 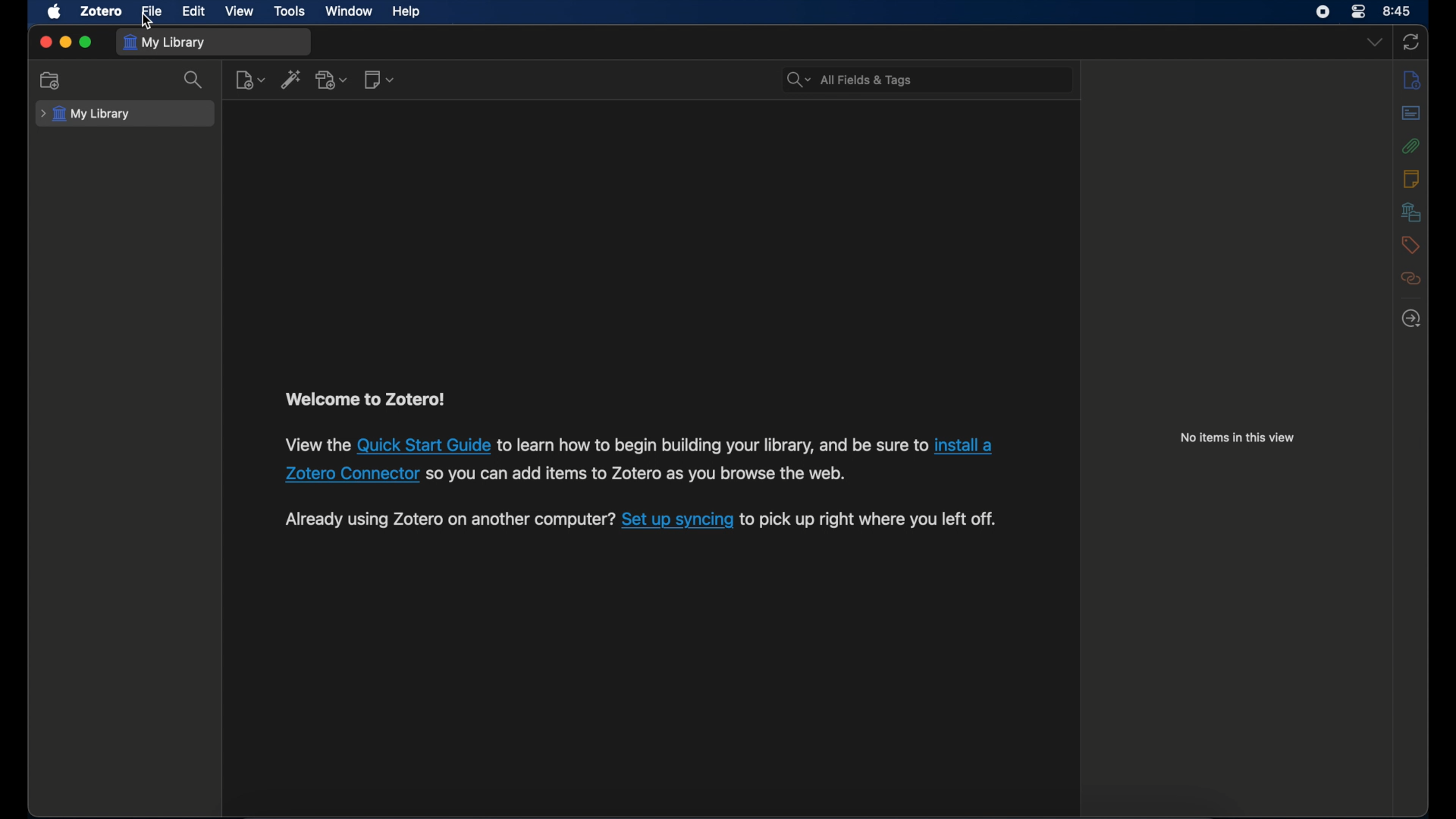 I want to click on new note, so click(x=381, y=80).